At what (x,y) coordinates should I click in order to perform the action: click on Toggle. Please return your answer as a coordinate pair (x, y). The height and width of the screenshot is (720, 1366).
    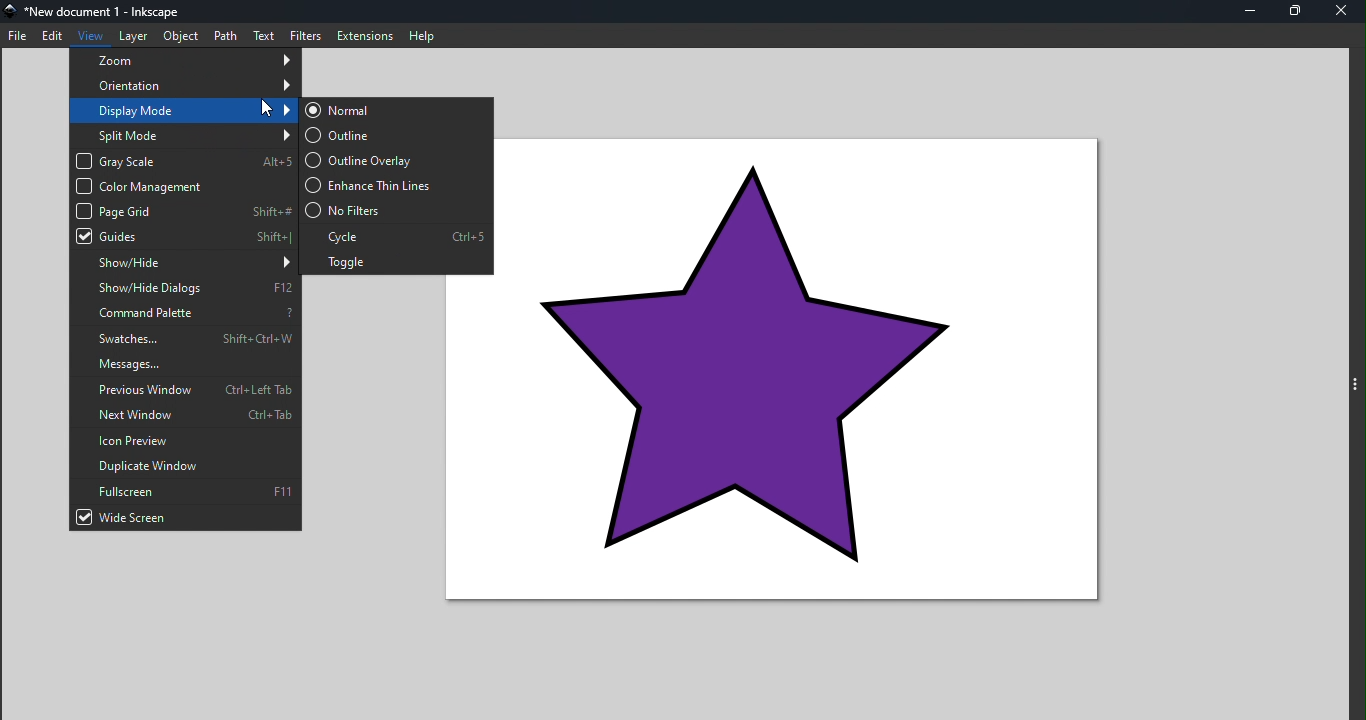
    Looking at the image, I should click on (396, 260).